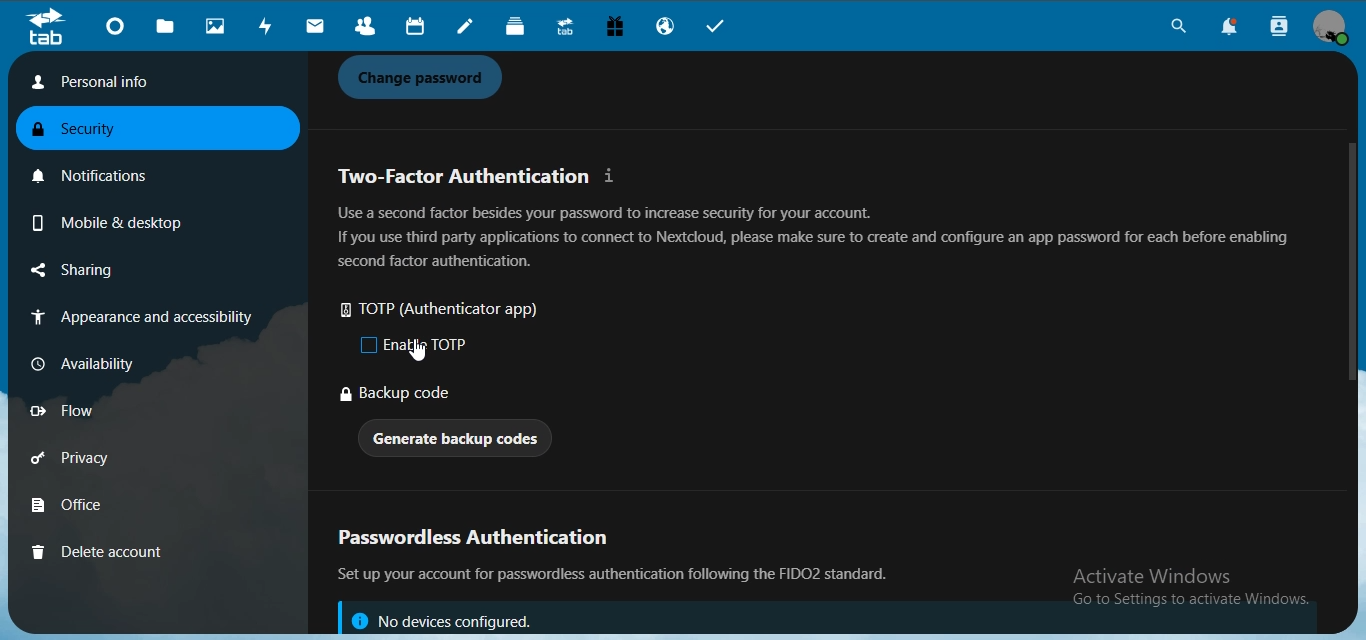  Describe the element at coordinates (468, 28) in the screenshot. I see `notes` at that location.